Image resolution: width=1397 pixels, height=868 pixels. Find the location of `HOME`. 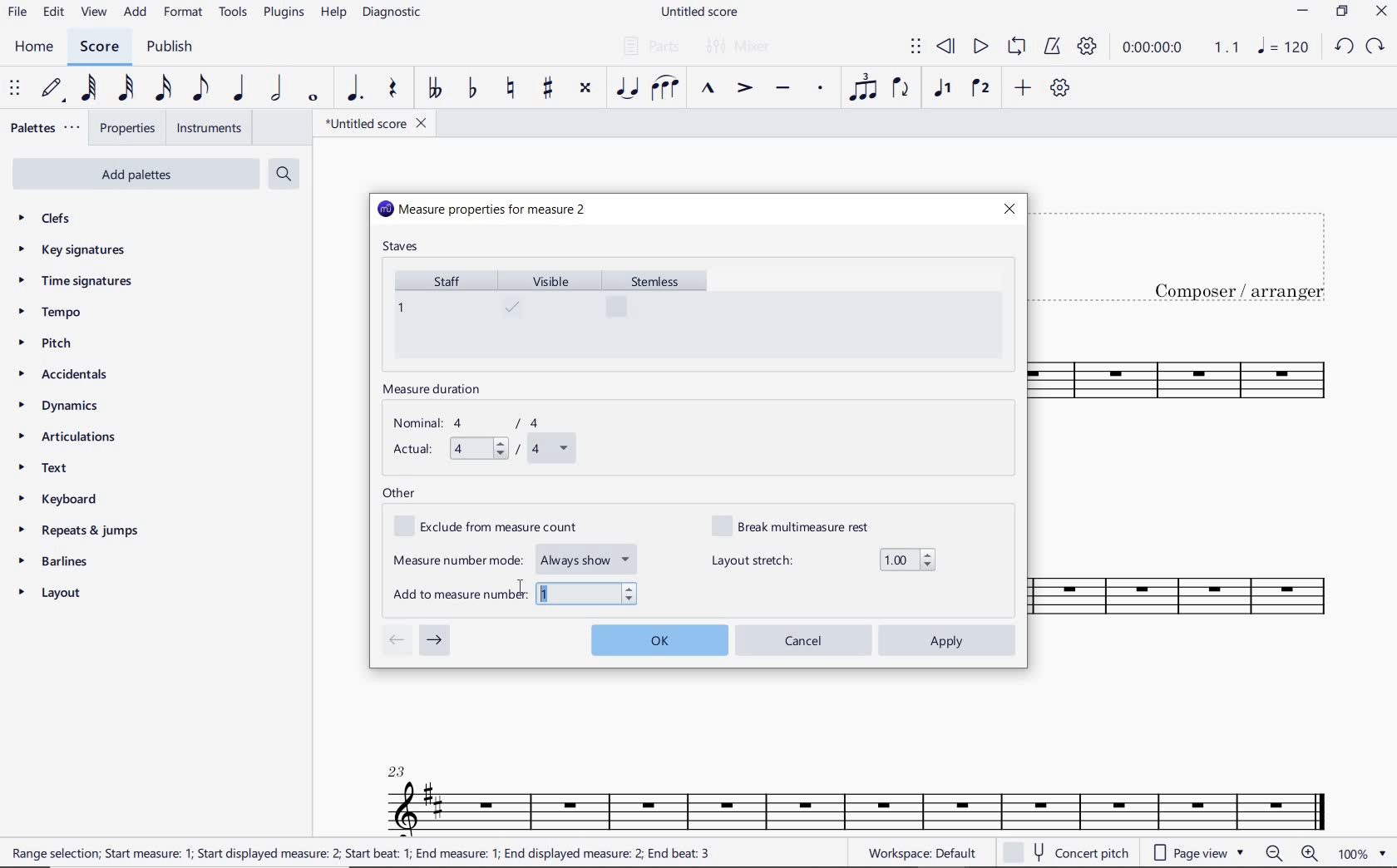

HOME is located at coordinates (33, 47).